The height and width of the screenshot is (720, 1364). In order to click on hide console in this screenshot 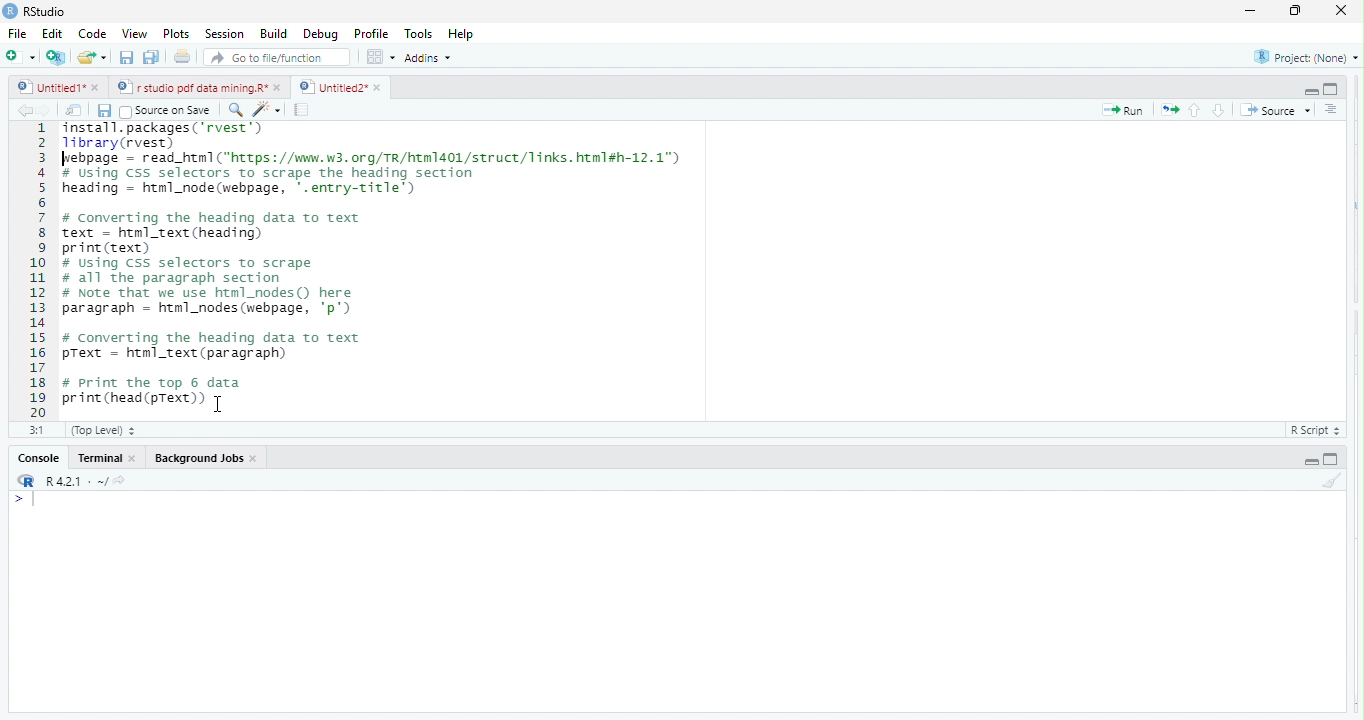, I will do `click(1329, 459)`.